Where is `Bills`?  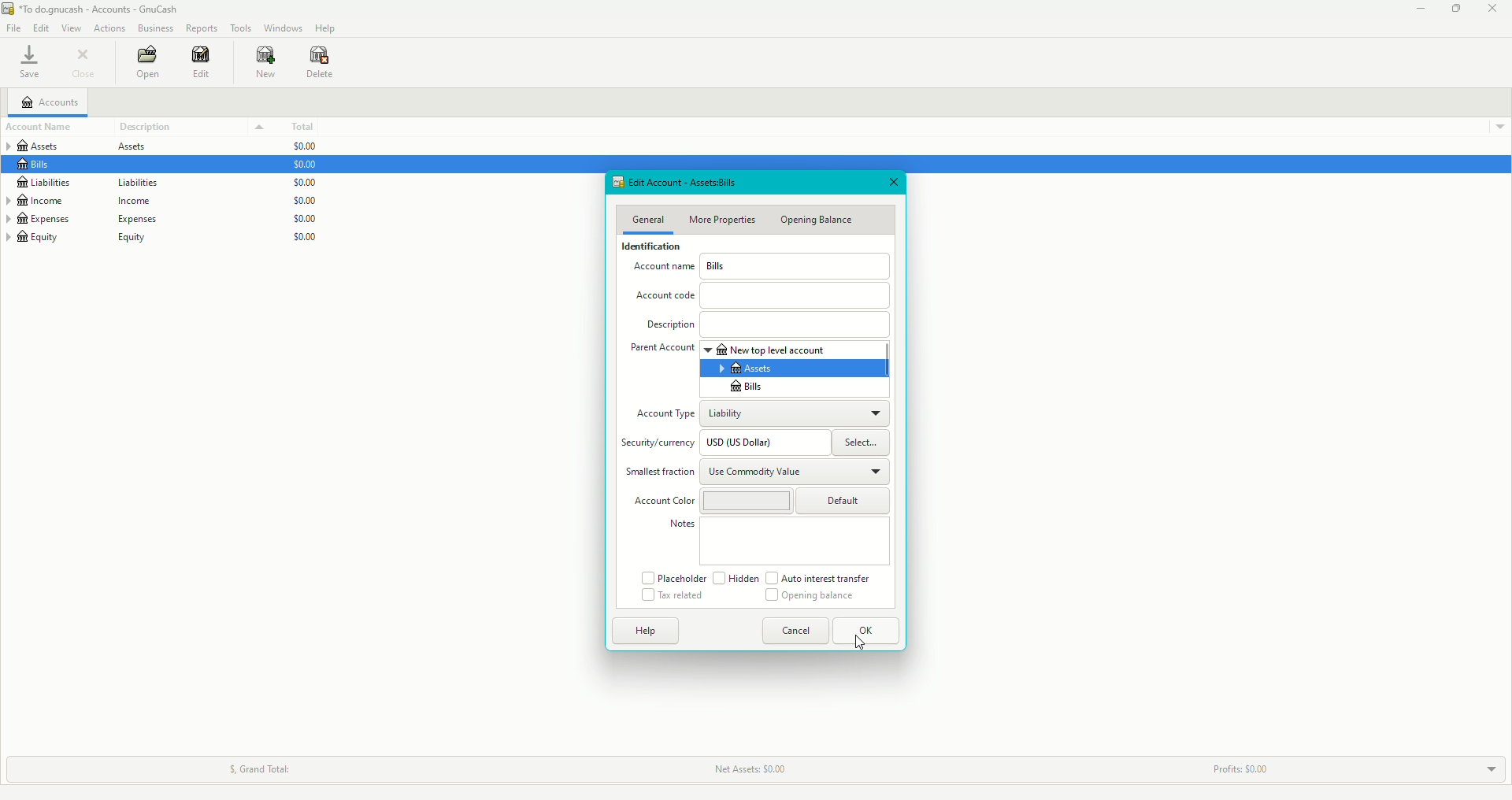
Bills is located at coordinates (796, 266).